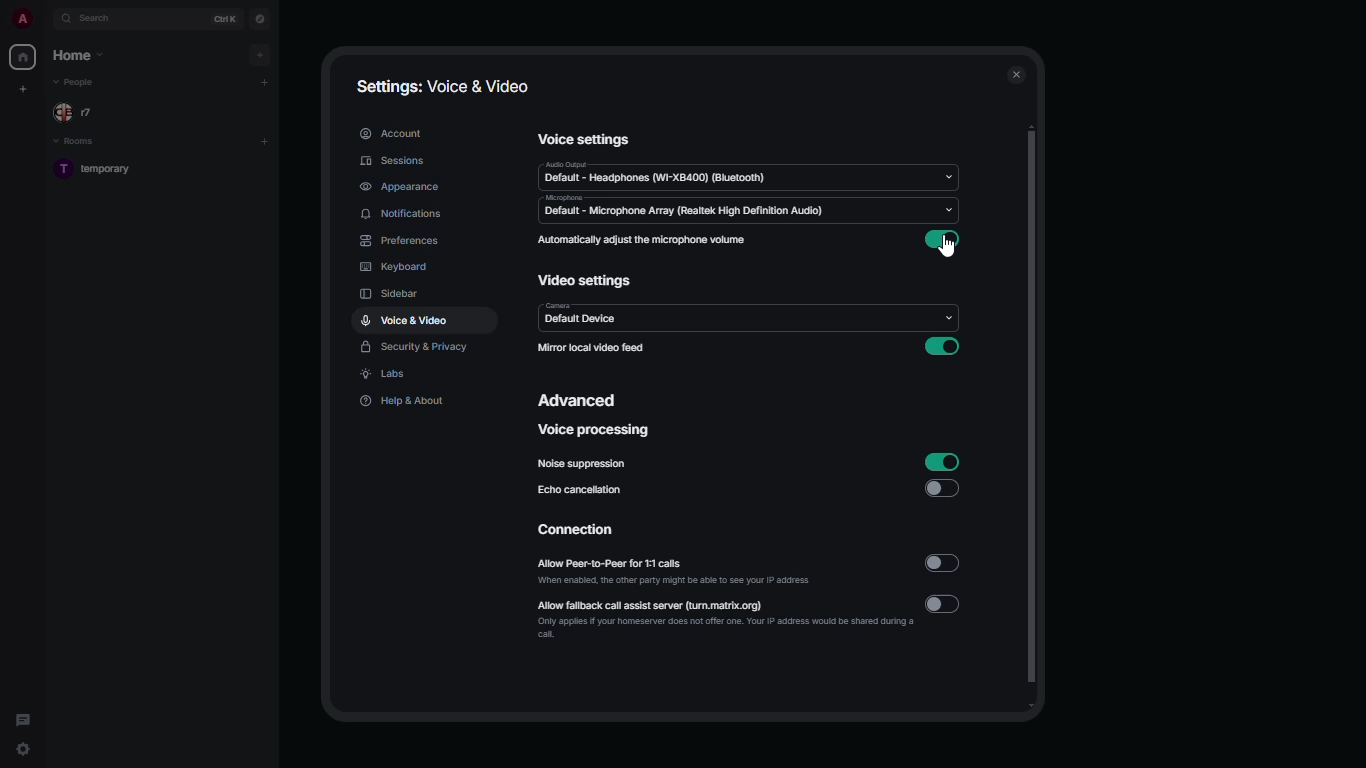 This screenshot has width=1366, height=768. What do you see at coordinates (78, 113) in the screenshot?
I see `people` at bounding box center [78, 113].